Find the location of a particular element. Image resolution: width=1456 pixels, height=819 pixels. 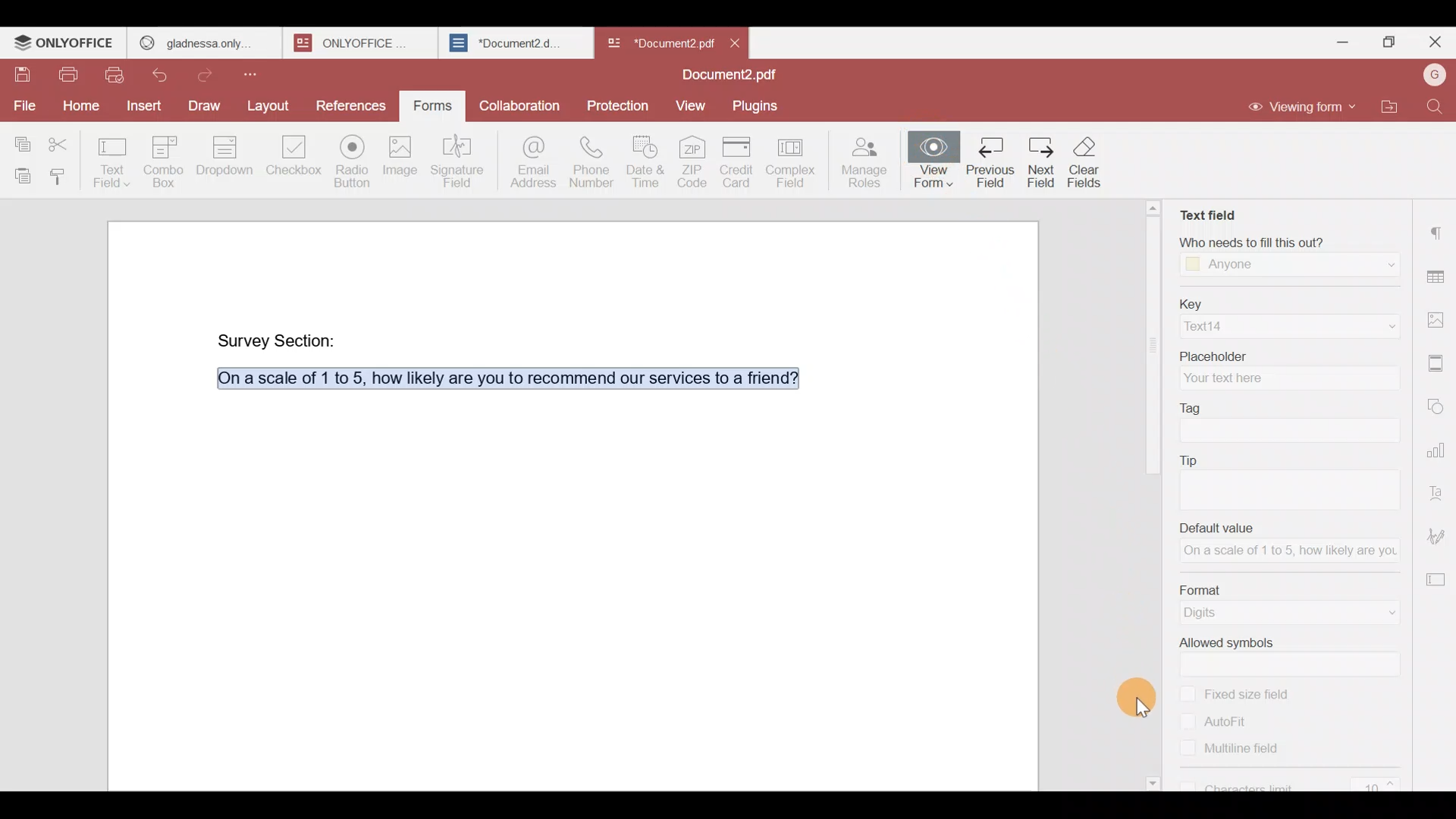

Date & time is located at coordinates (645, 161).